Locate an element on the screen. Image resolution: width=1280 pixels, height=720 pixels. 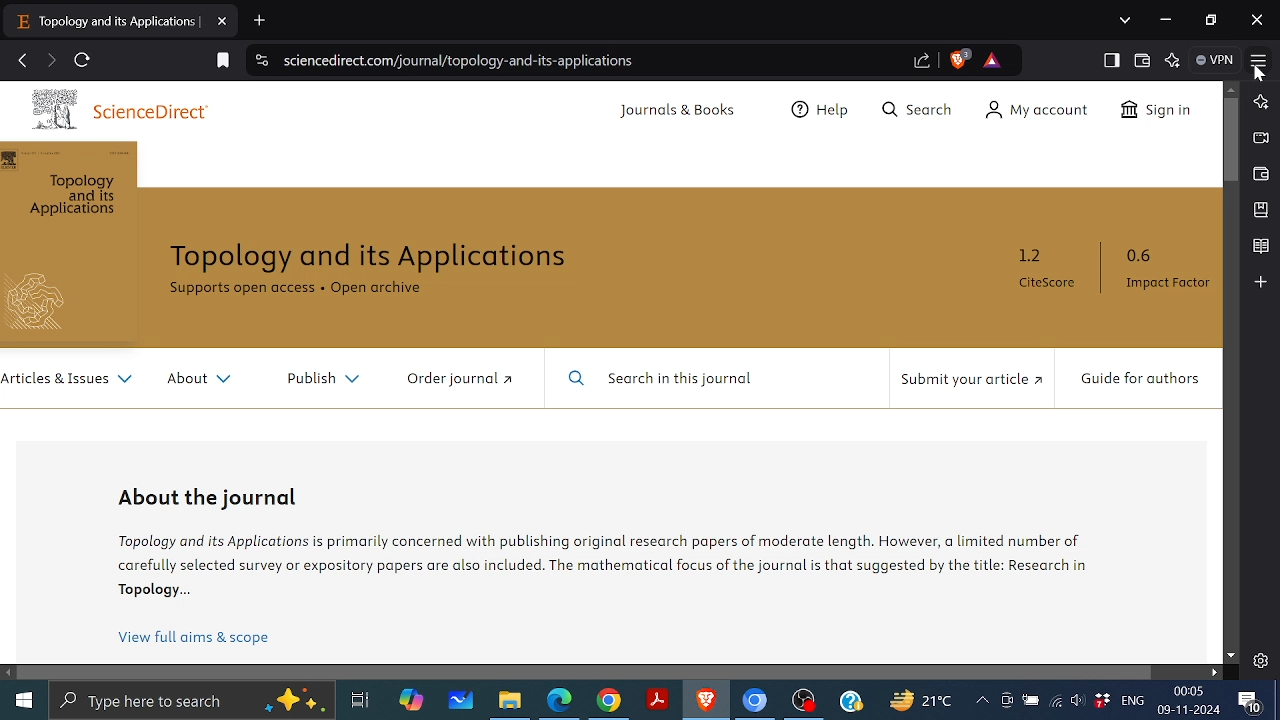
Speakers is located at coordinates (1079, 698).